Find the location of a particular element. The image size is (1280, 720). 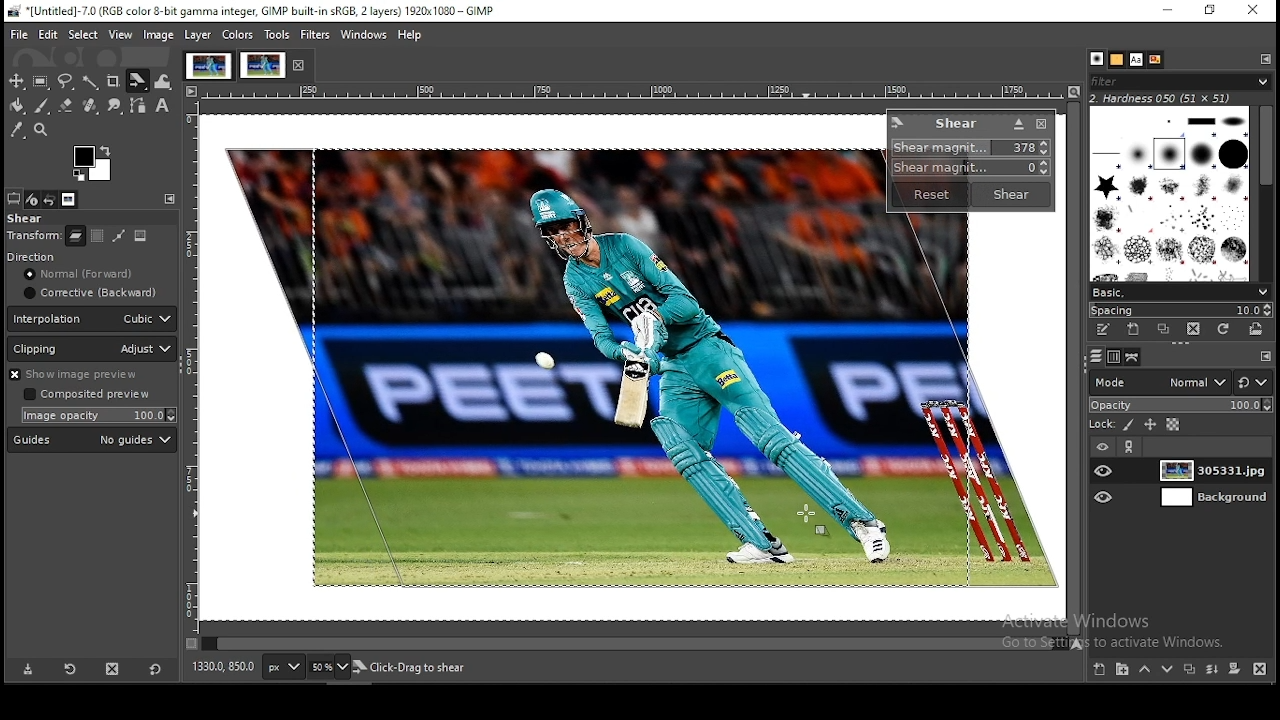

image is located at coordinates (158, 35).